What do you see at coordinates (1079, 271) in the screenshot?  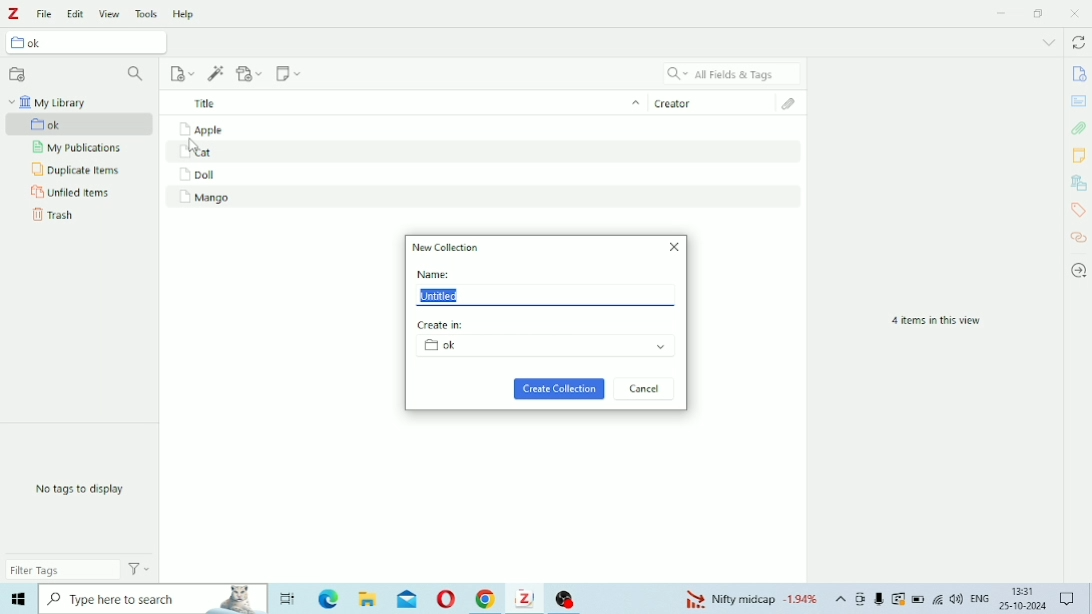 I see `Locate` at bounding box center [1079, 271].